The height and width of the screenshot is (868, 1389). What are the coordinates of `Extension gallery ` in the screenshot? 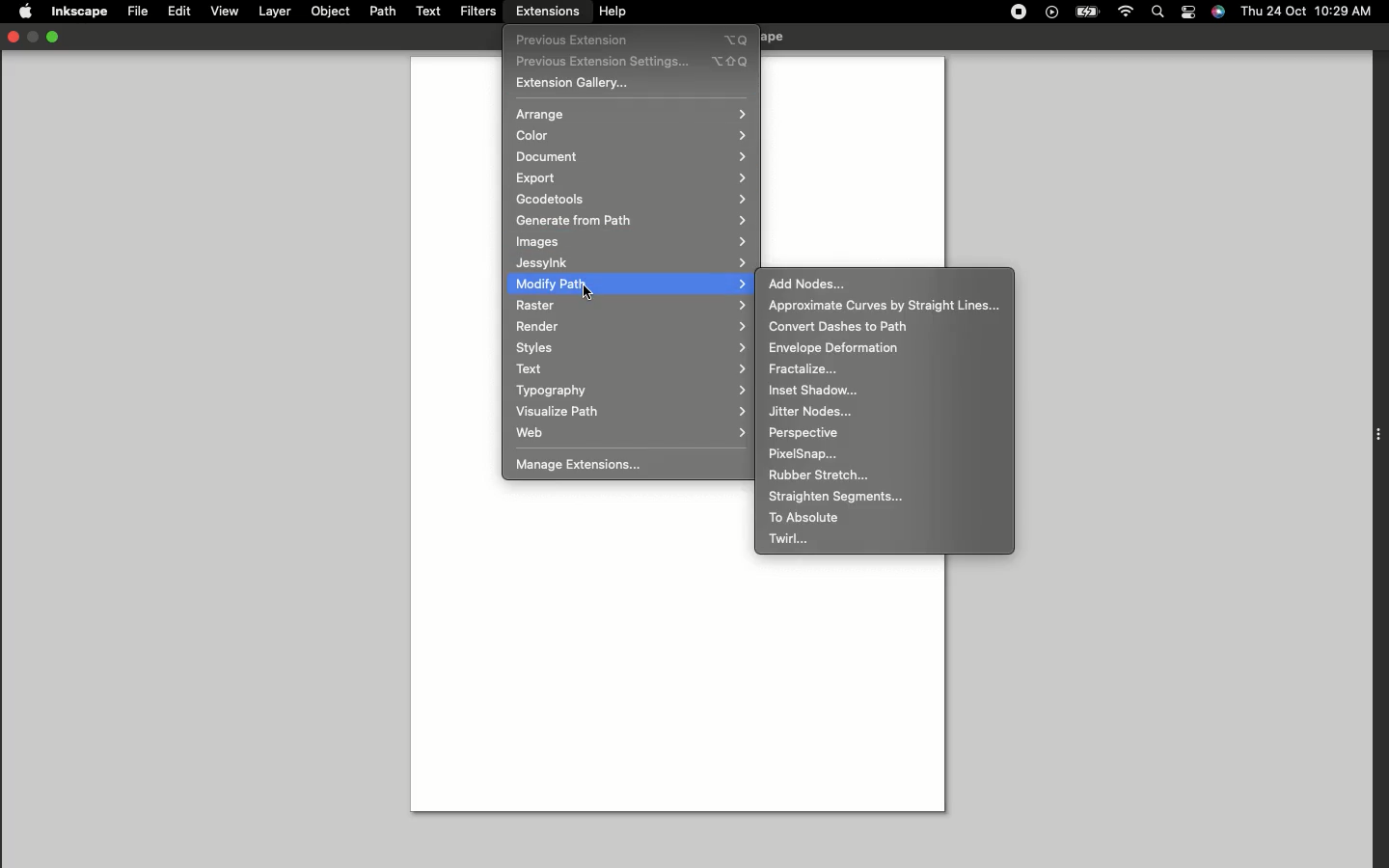 It's located at (576, 83).